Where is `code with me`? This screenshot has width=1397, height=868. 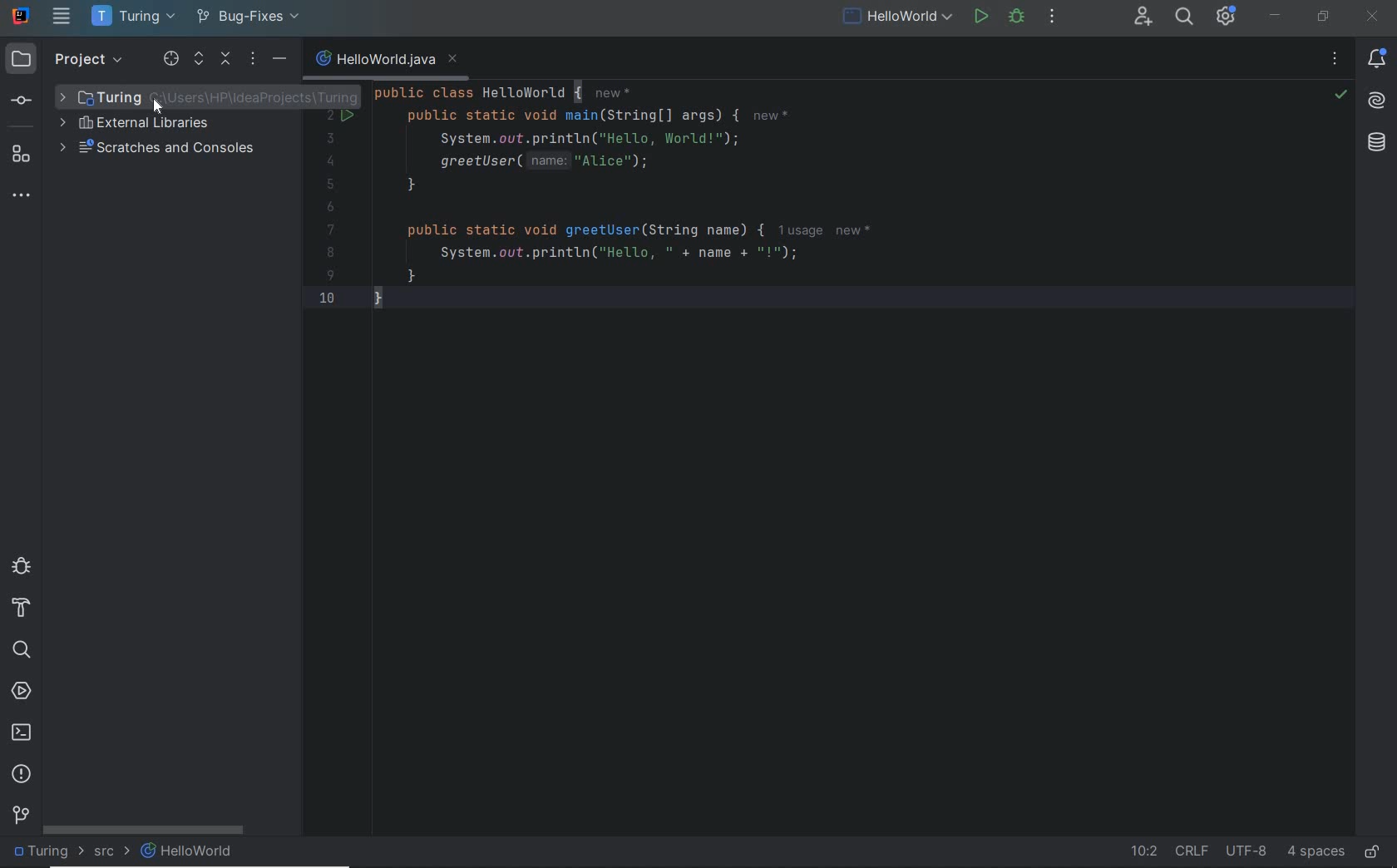 code with me is located at coordinates (1145, 18).